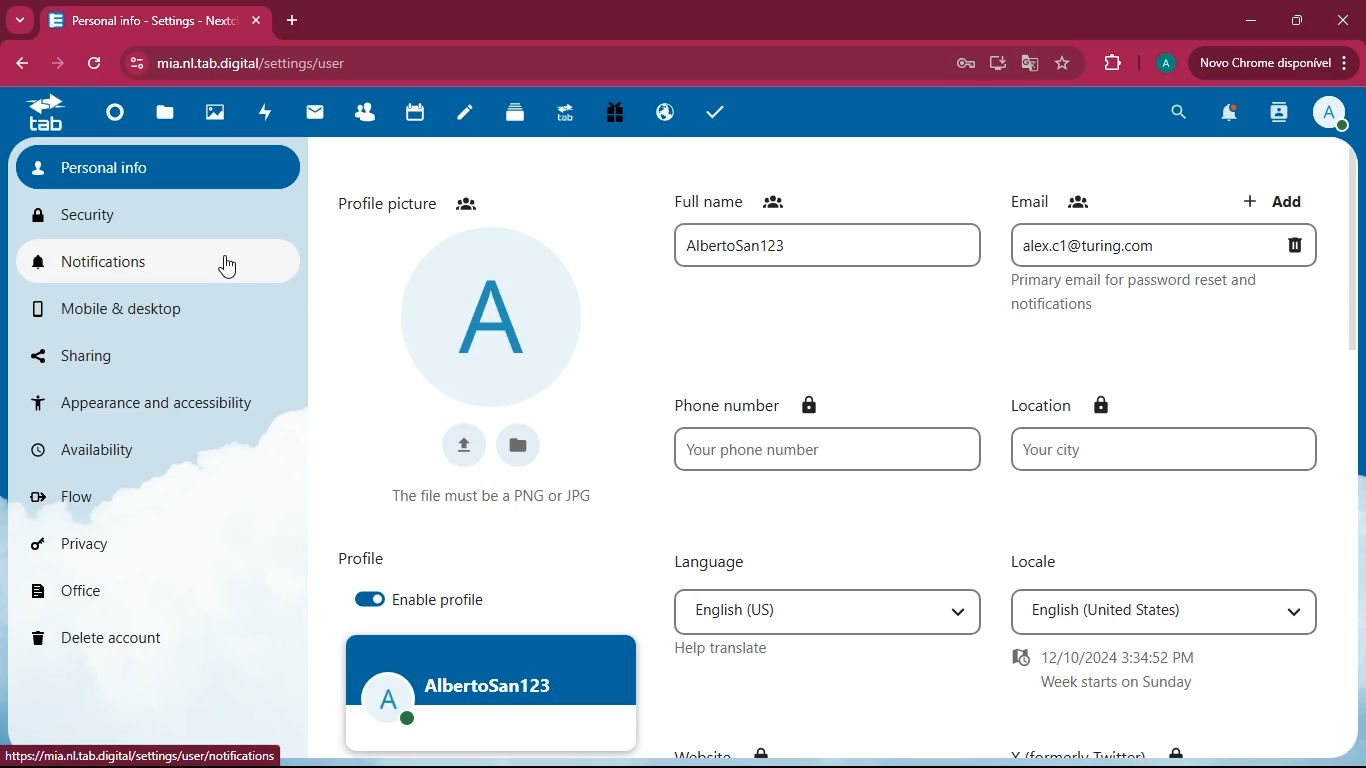 The height and width of the screenshot is (768, 1366). Describe the element at coordinates (710, 112) in the screenshot. I see `tasks` at that location.